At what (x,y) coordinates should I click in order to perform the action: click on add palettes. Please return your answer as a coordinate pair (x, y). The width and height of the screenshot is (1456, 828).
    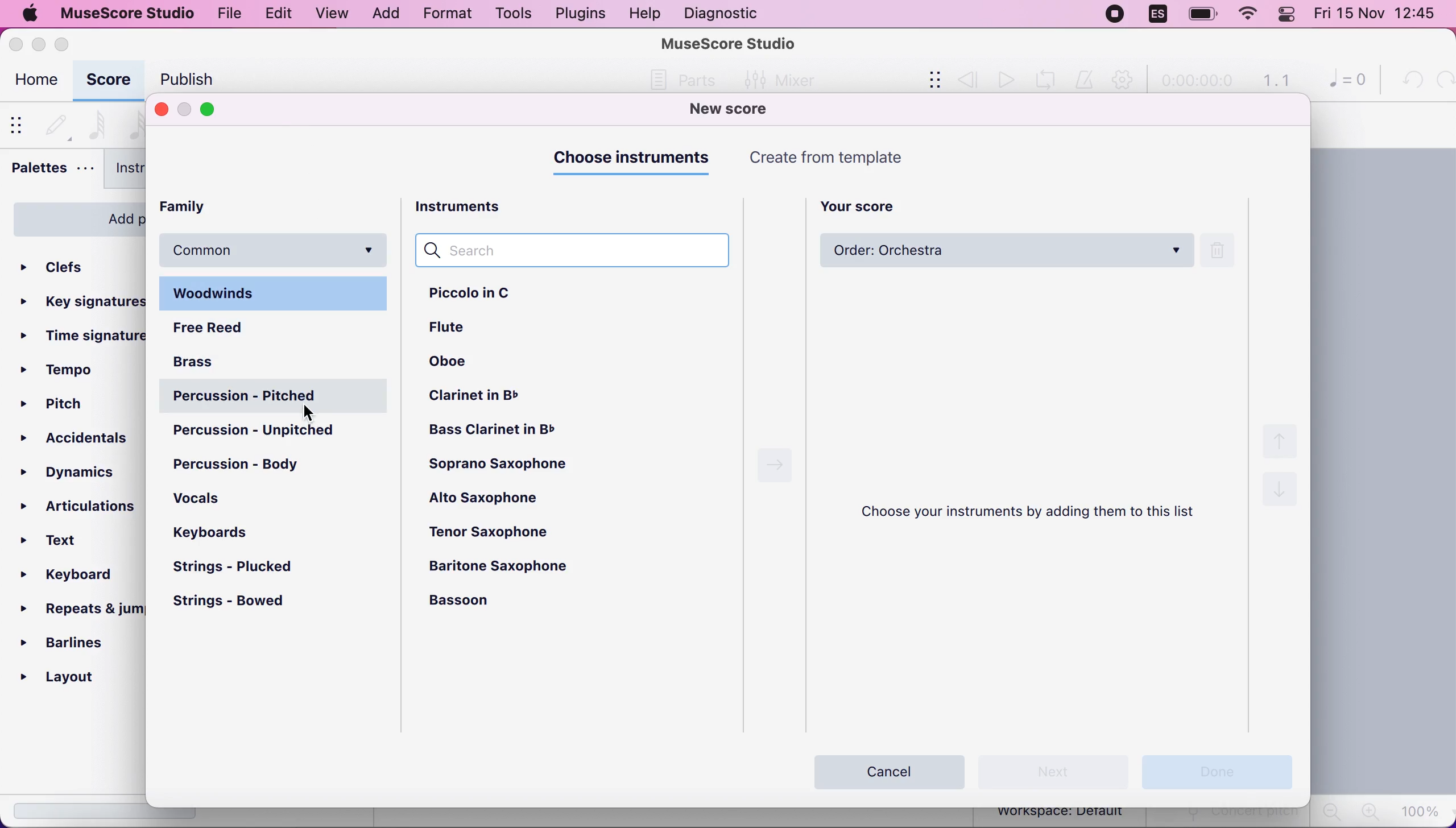
    Looking at the image, I should click on (74, 217).